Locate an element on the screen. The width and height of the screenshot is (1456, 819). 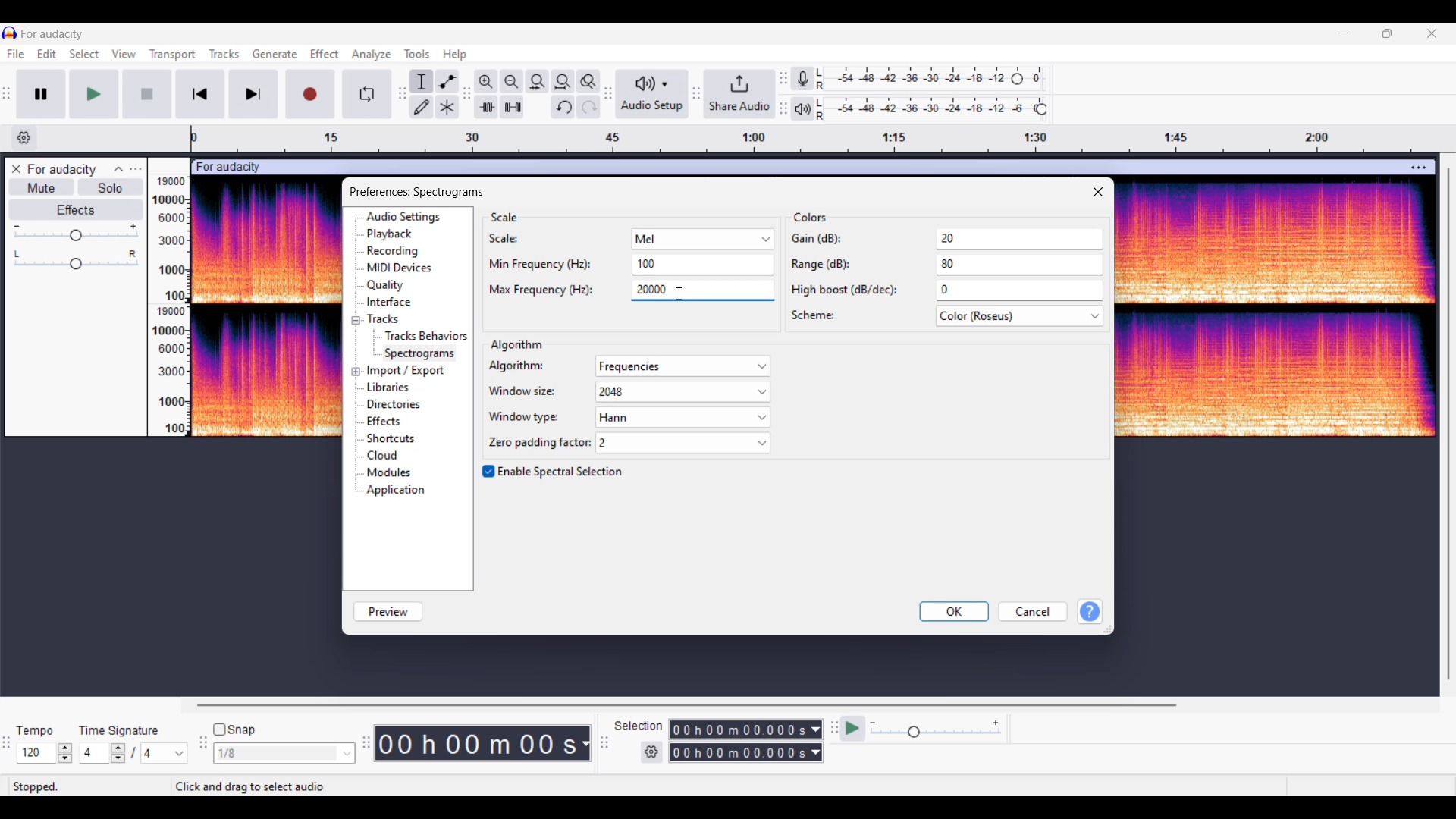
recording is located at coordinates (397, 251).